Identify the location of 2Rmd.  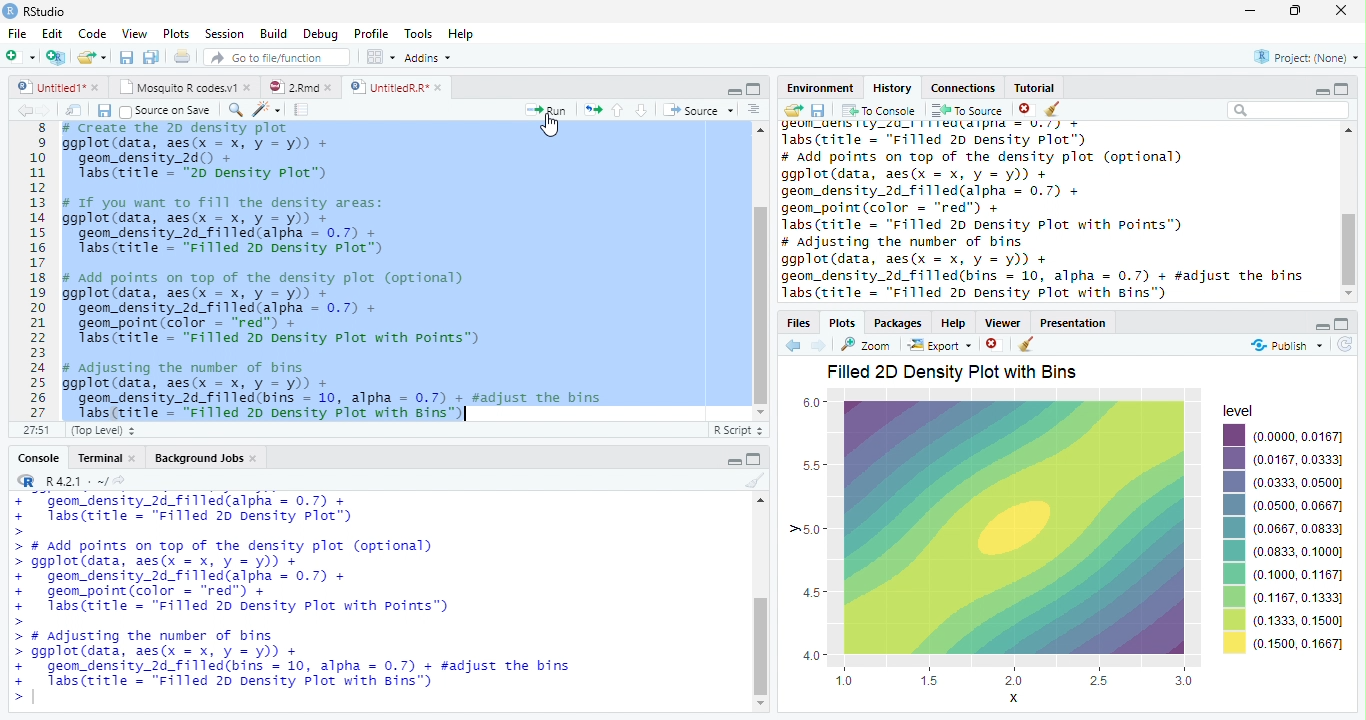
(292, 86).